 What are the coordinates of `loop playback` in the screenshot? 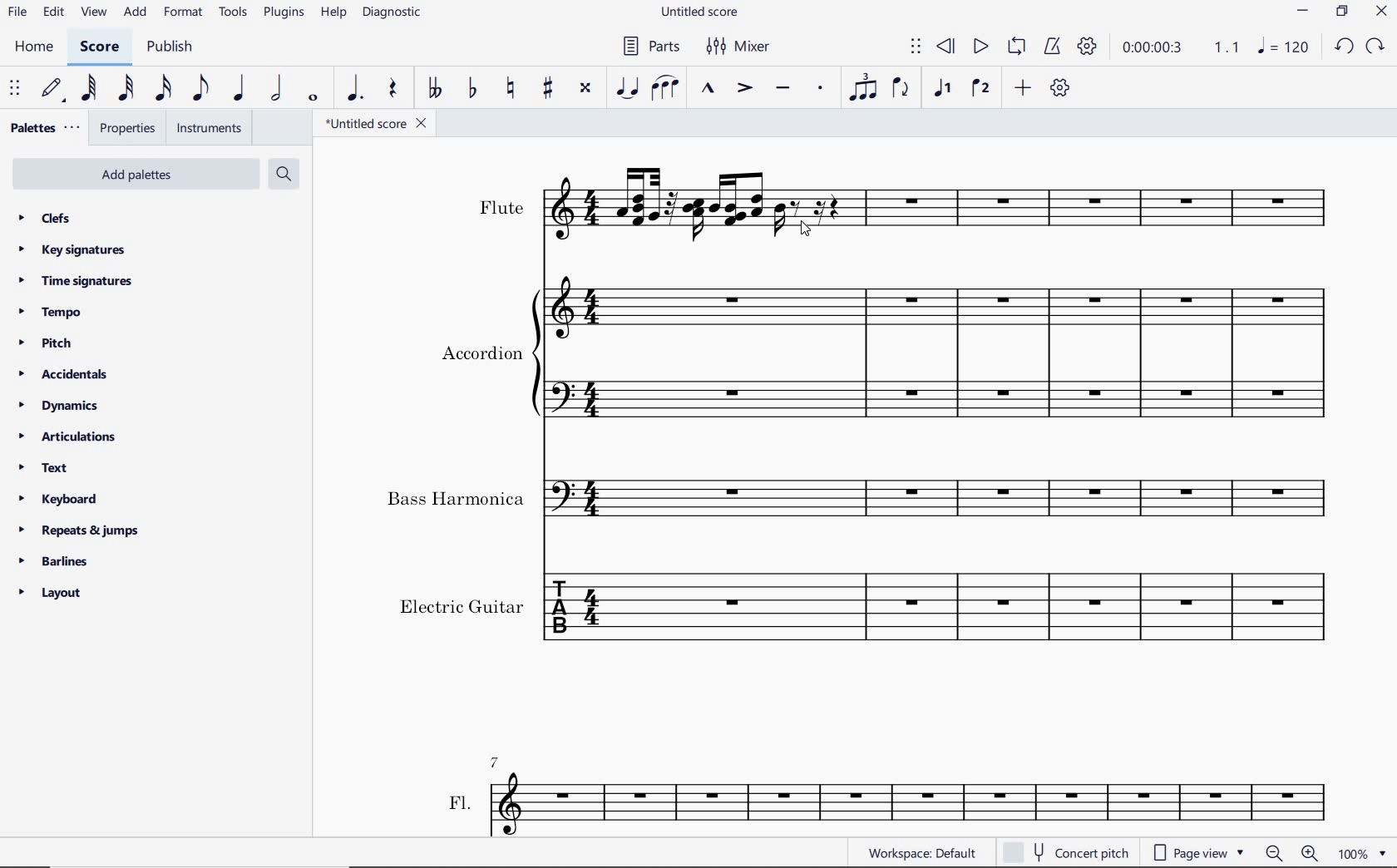 It's located at (1016, 47).